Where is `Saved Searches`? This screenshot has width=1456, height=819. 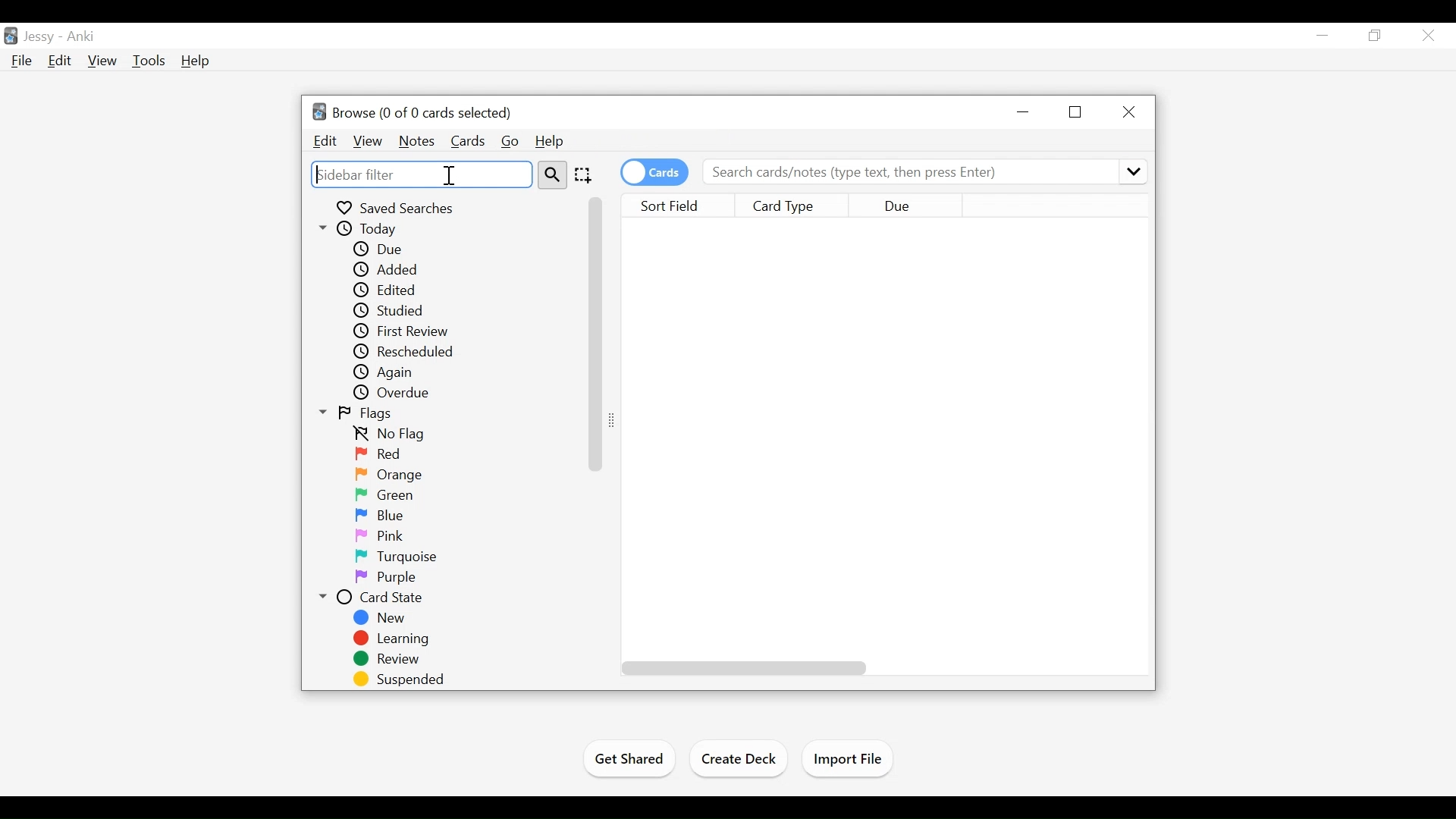 Saved Searches is located at coordinates (397, 208).